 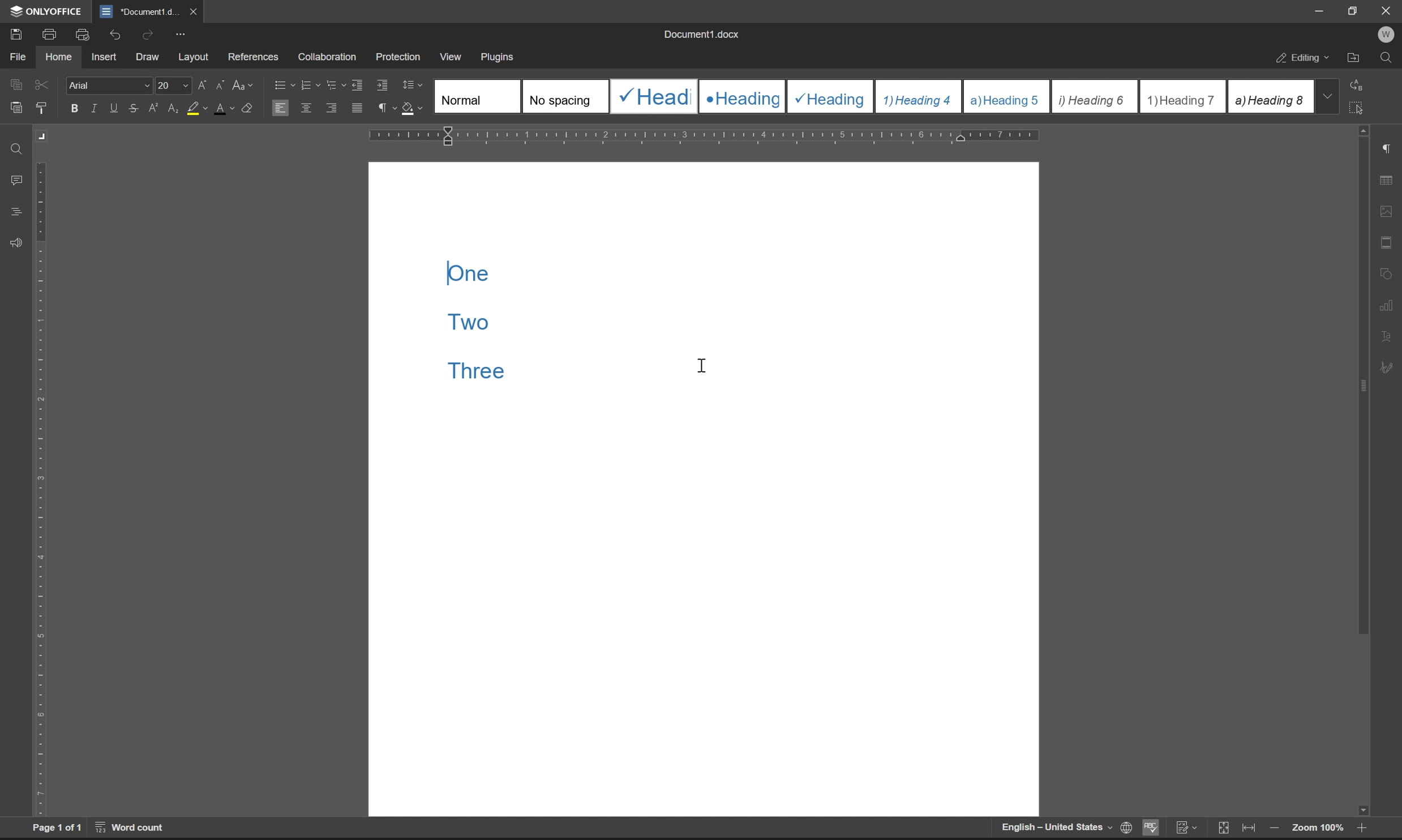 I want to click on protection, so click(x=400, y=56).